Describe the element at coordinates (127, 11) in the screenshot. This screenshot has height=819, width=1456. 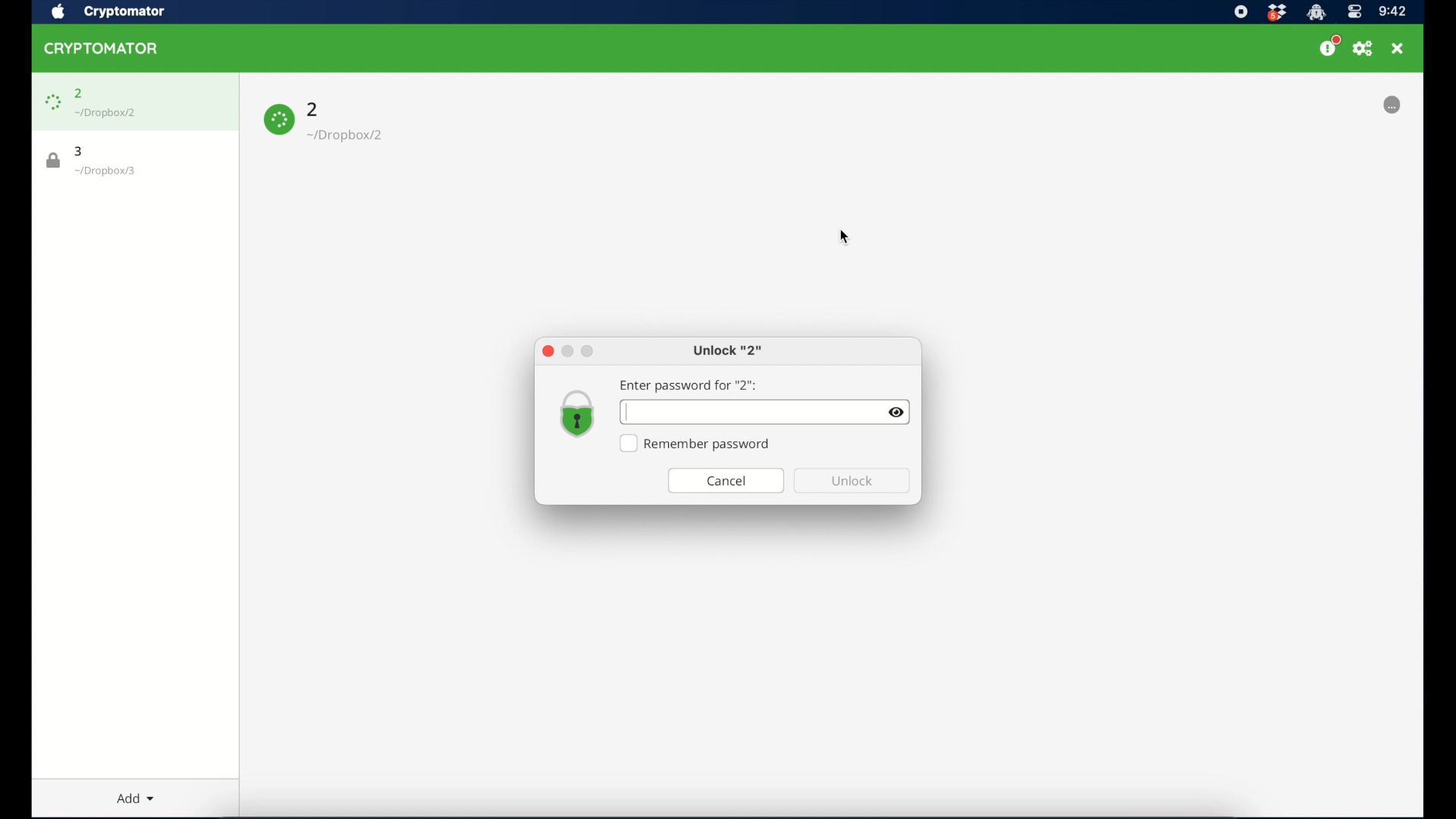
I see `cryptomator` at that location.